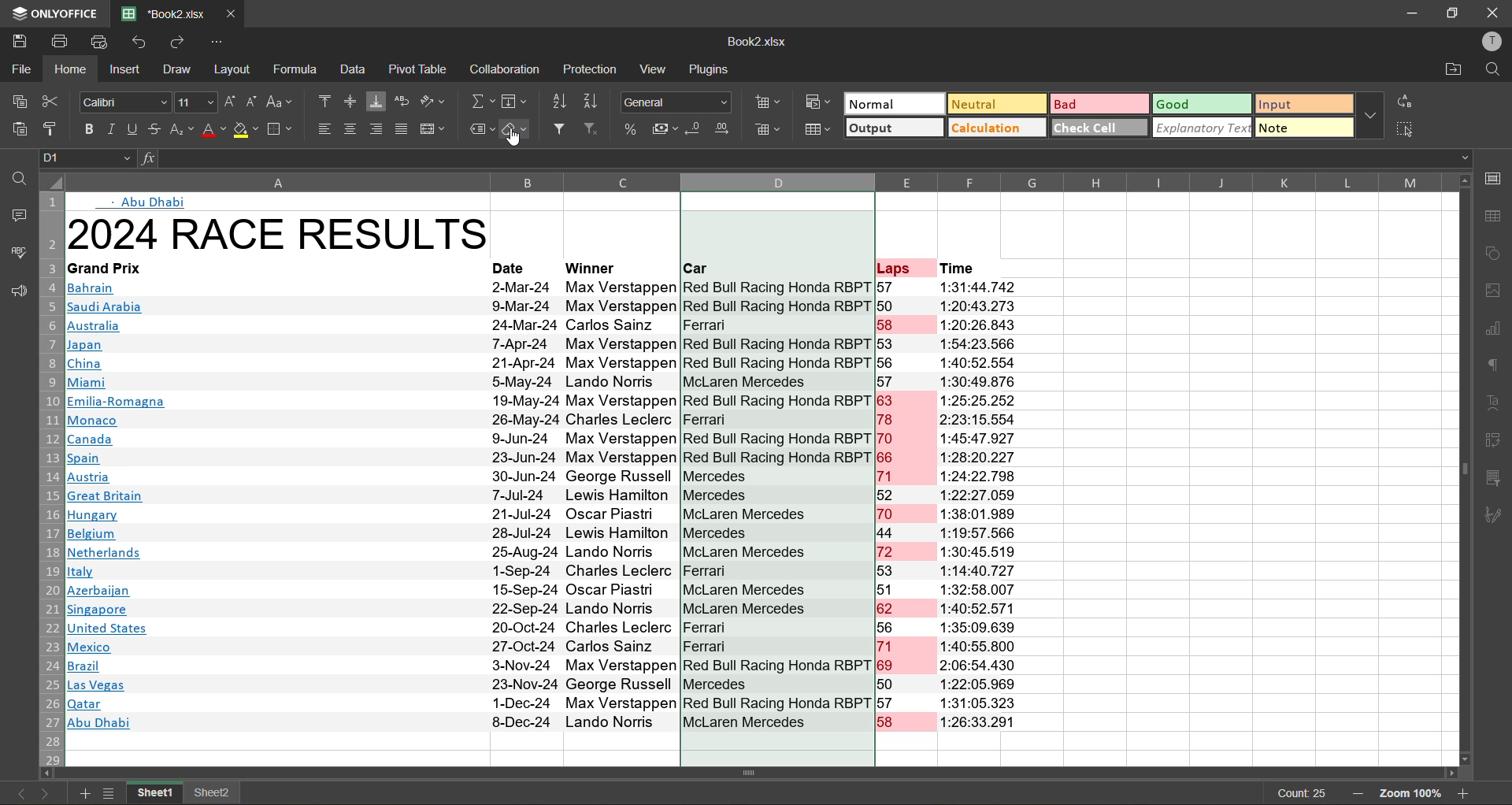 Image resolution: width=1512 pixels, height=805 pixels. Describe the element at coordinates (1499, 216) in the screenshot. I see `table` at that location.